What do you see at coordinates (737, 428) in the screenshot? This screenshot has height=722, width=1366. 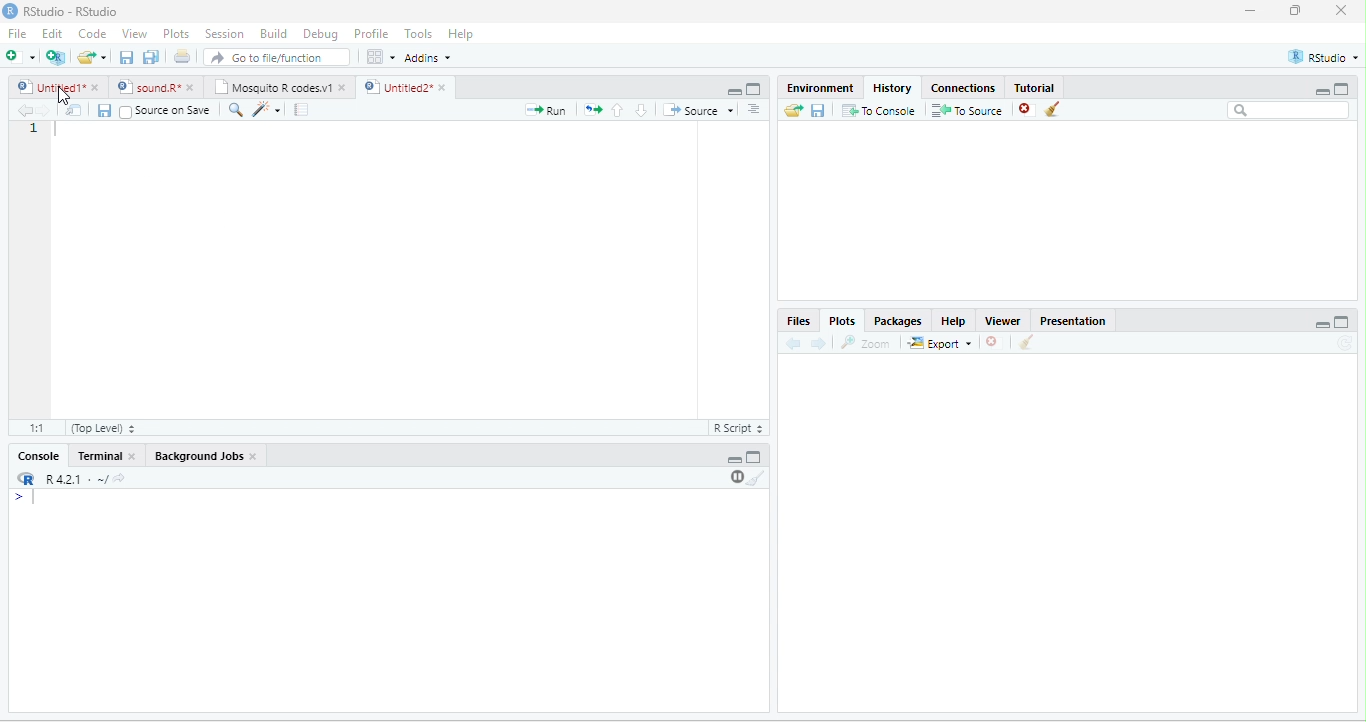 I see `R Script` at bounding box center [737, 428].